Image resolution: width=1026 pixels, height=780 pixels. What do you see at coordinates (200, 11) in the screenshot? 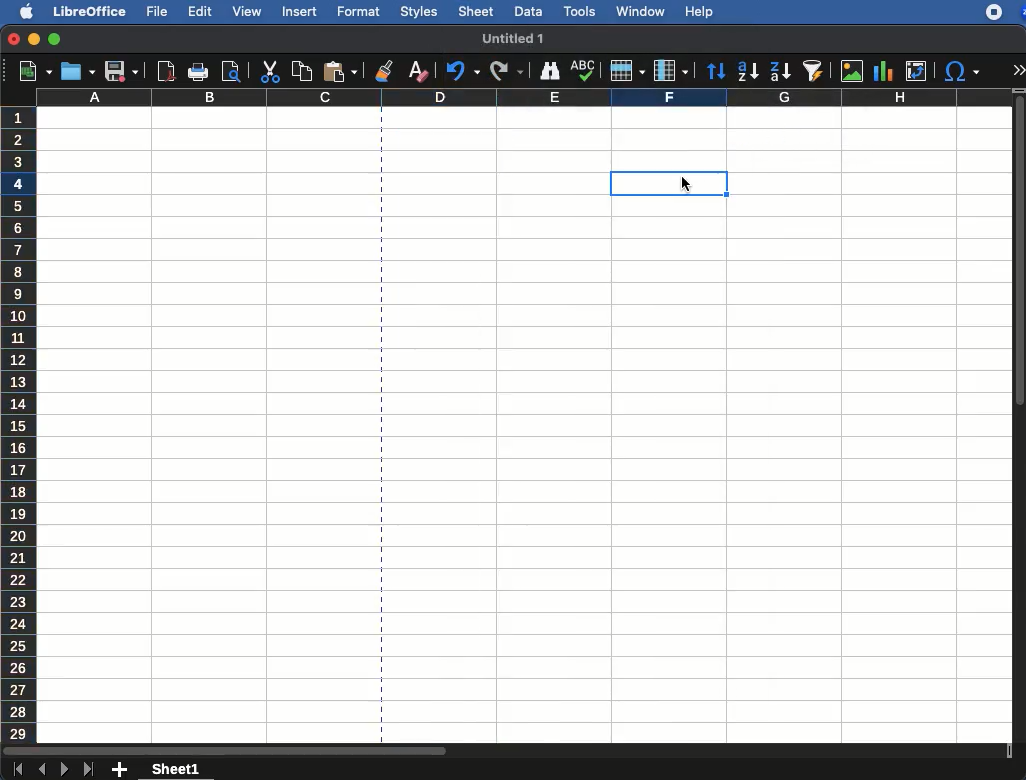
I see `edit` at bounding box center [200, 11].